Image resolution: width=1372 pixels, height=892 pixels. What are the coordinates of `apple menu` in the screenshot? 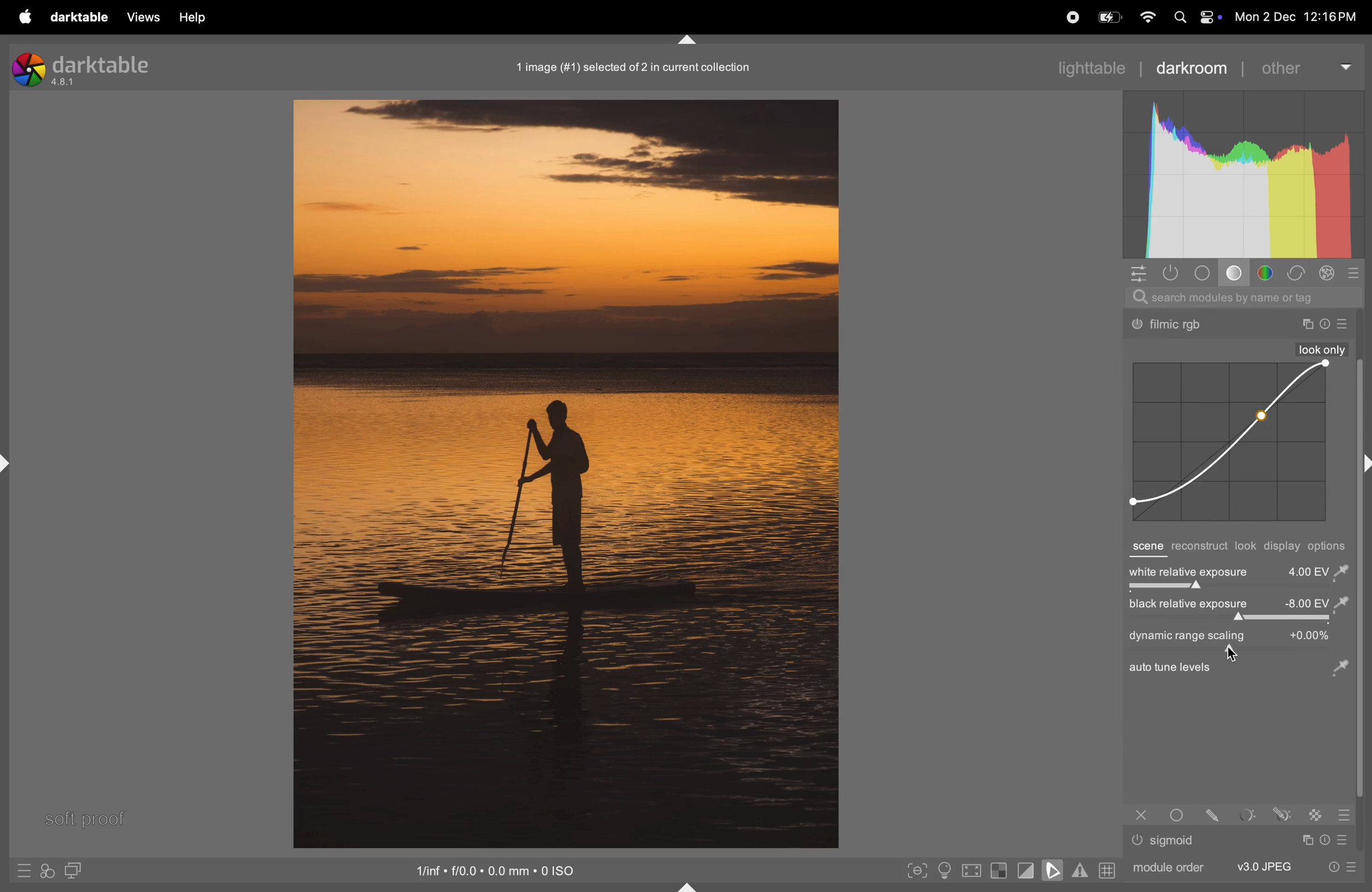 It's located at (22, 17).